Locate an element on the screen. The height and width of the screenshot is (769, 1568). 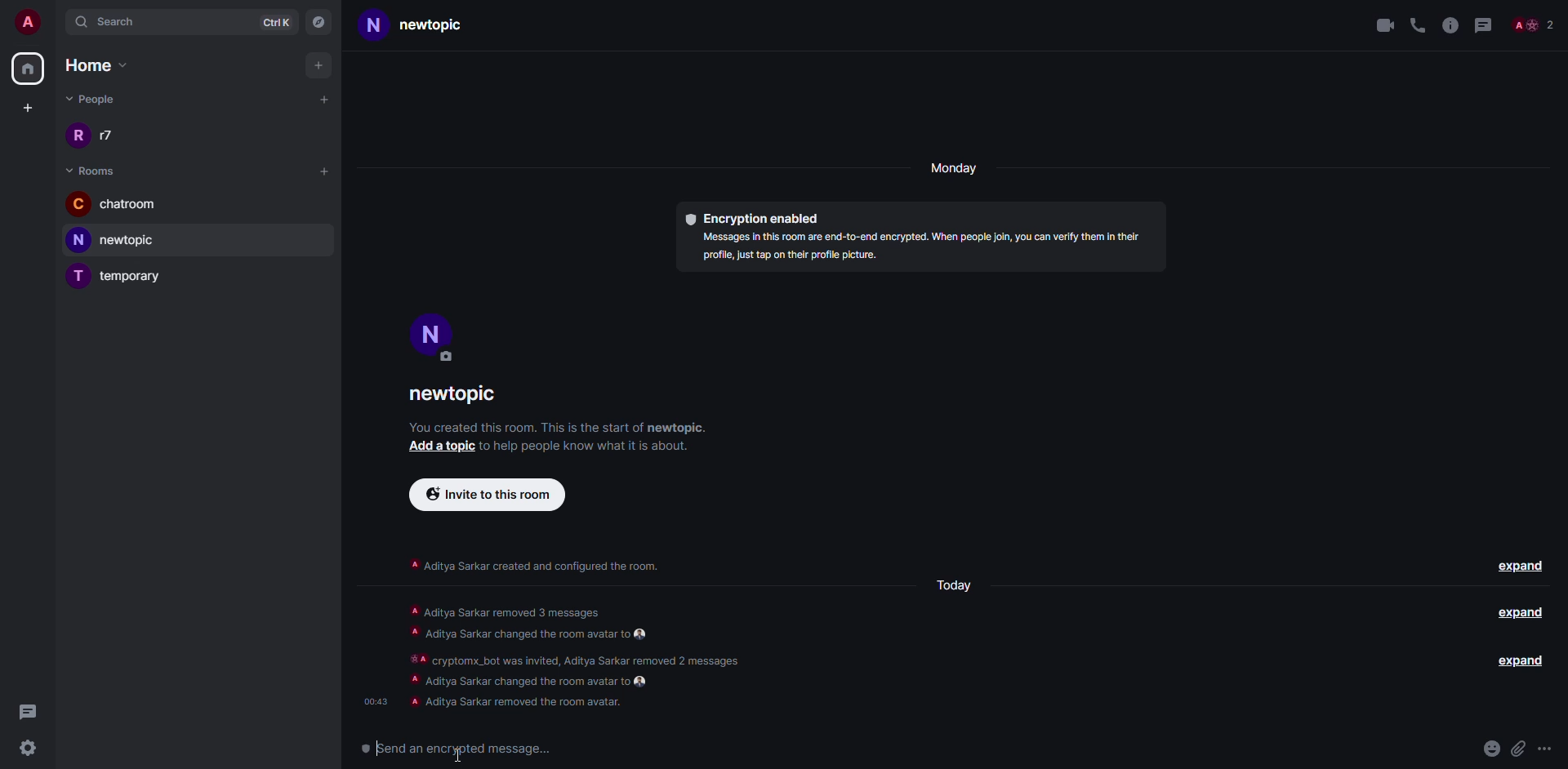
expand is located at coordinates (1511, 661).